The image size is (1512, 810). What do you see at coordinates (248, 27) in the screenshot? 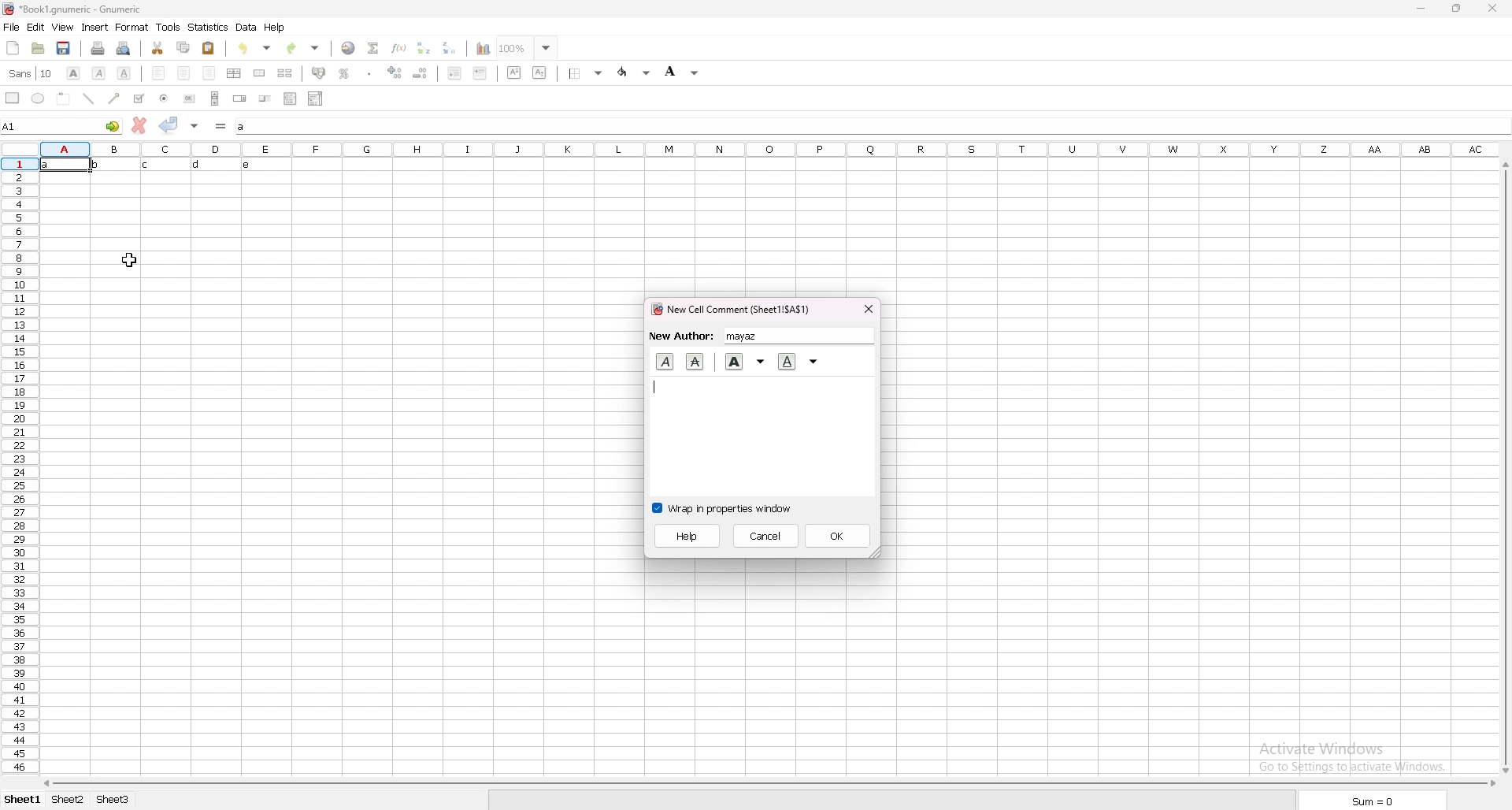
I see `data` at bounding box center [248, 27].